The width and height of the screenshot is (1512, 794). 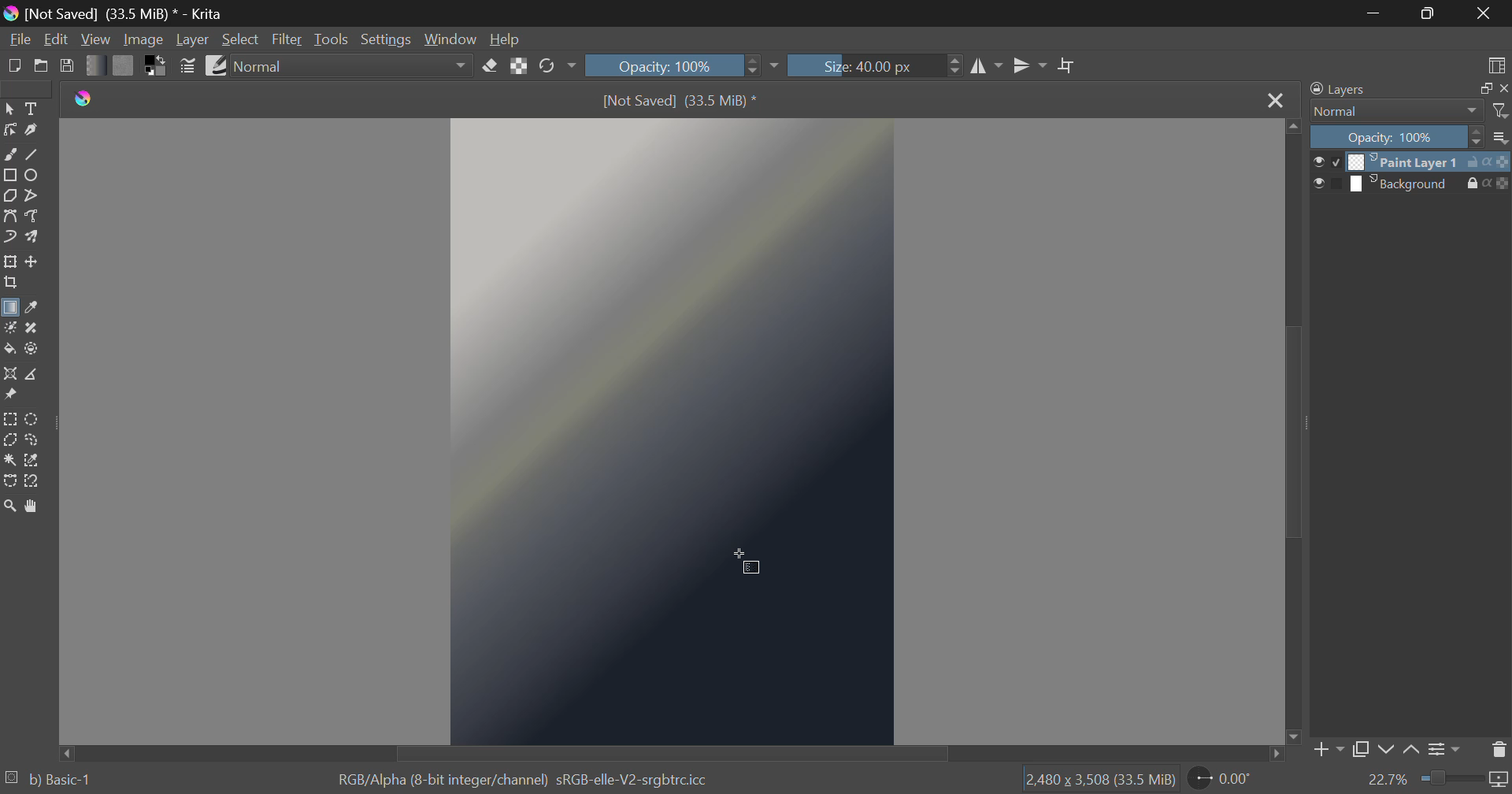 I want to click on Tools, so click(x=331, y=39).